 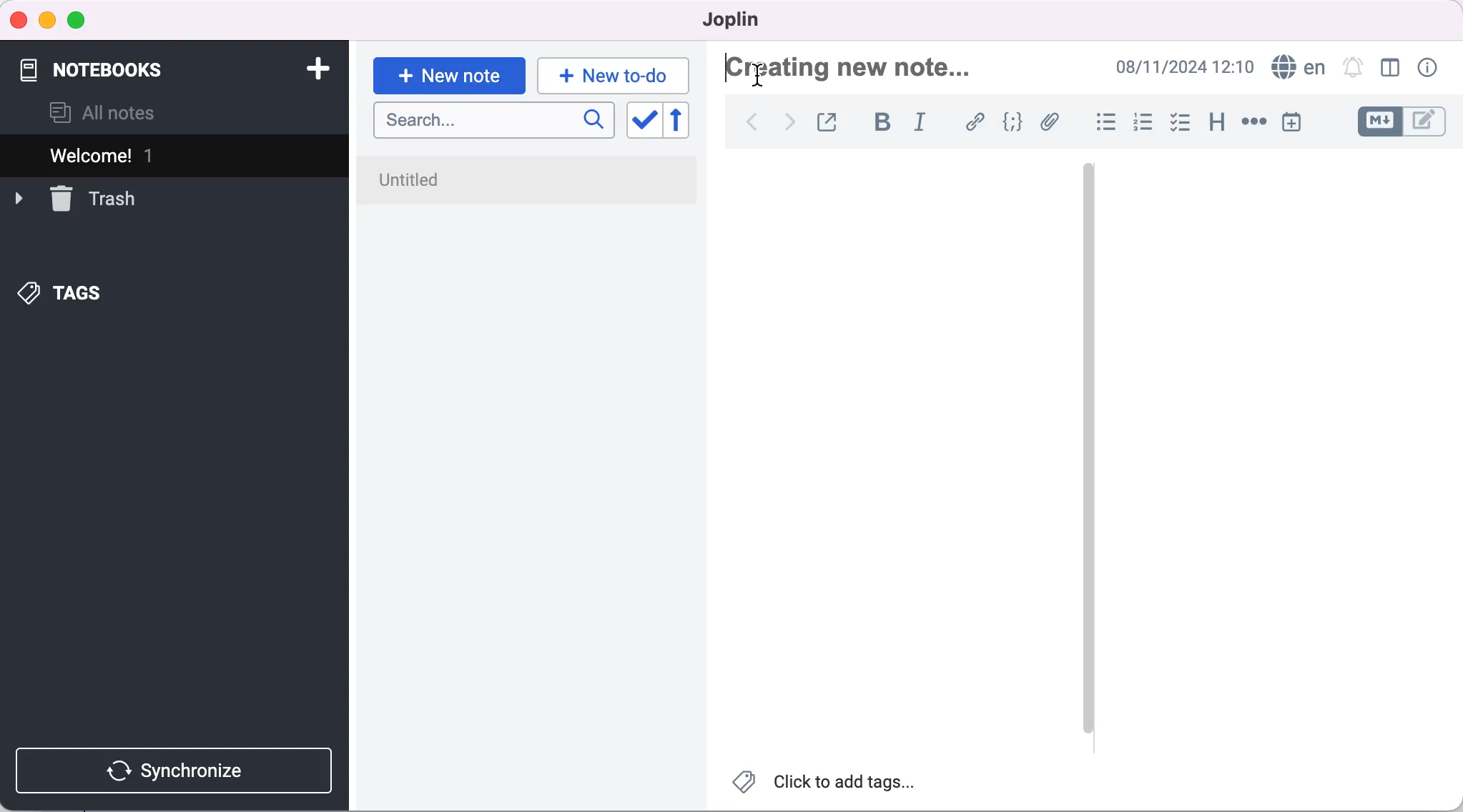 What do you see at coordinates (685, 124) in the screenshot?
I see `reverse sort order` at bounding box center [685, 124].